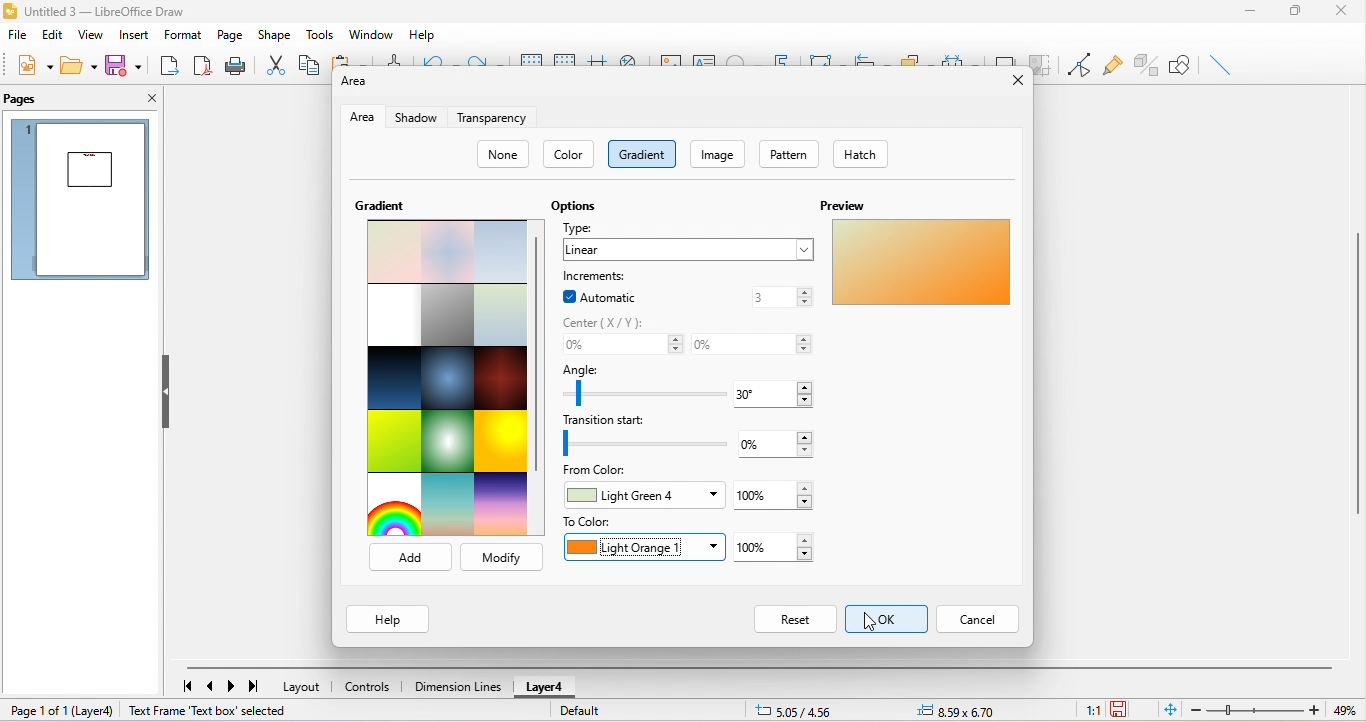  What do you see at coordinates (92, 35) in the screenshot?
I see `view` at bounding box center [92, 35].